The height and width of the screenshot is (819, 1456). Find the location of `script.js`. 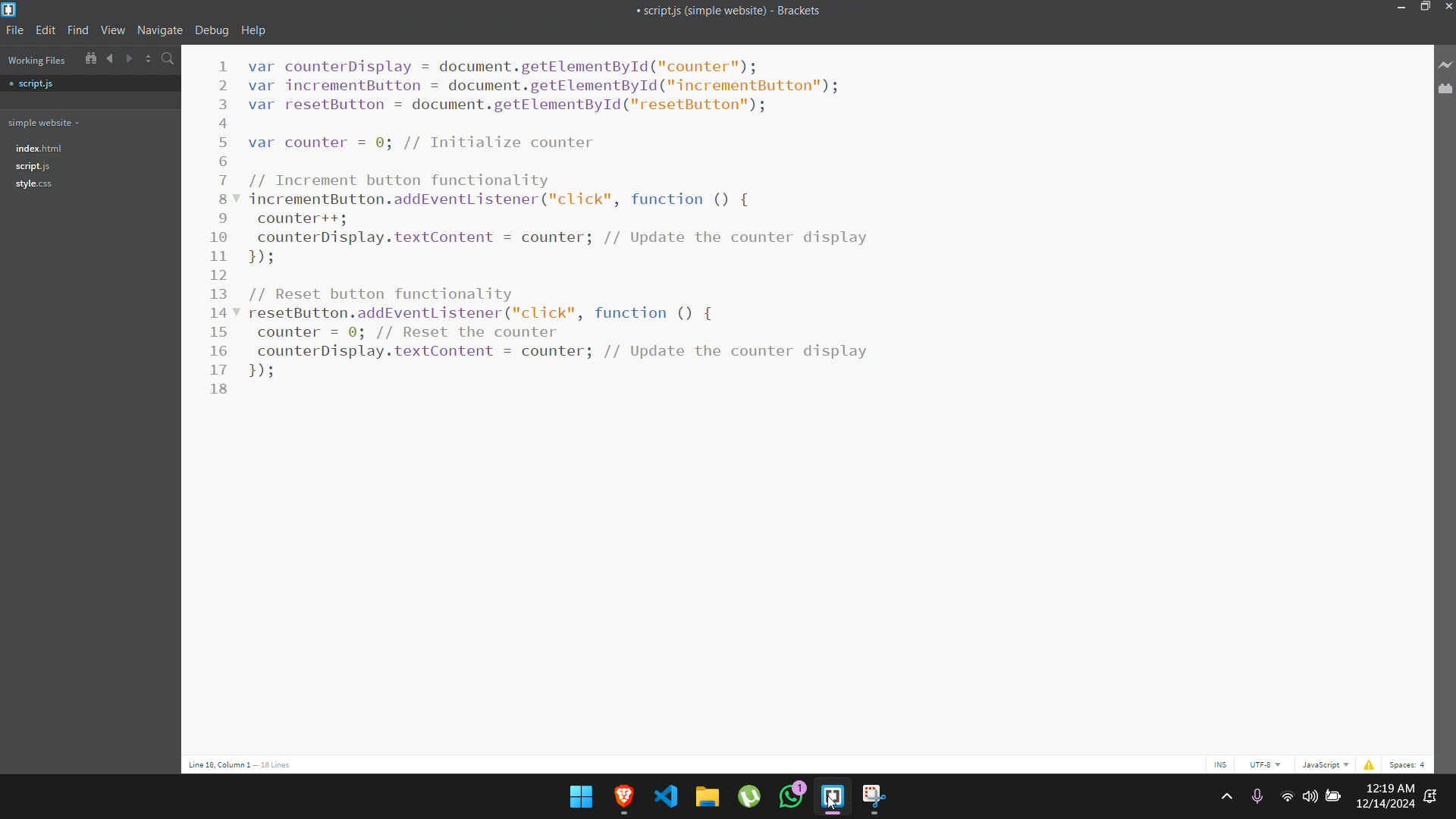

script.js is located at coordinates (37, 168).